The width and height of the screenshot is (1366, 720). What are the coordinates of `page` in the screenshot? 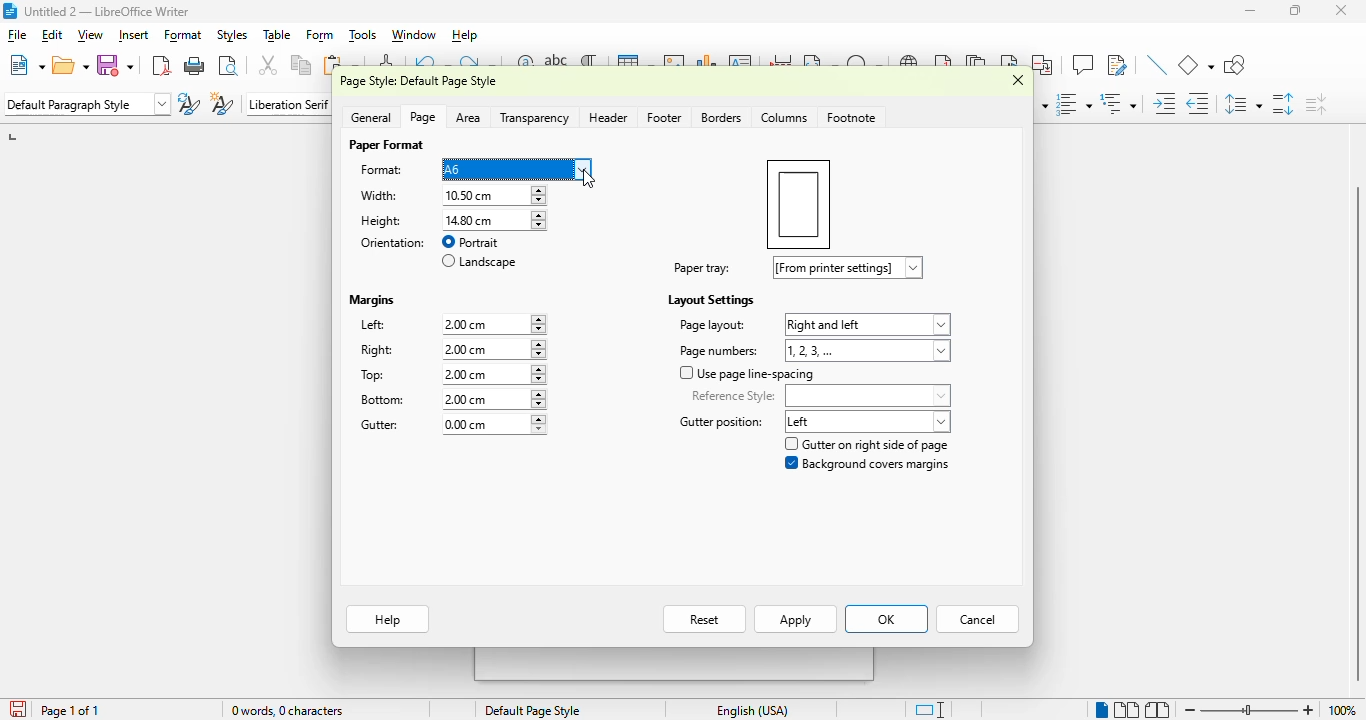 It's located at (423, 118).